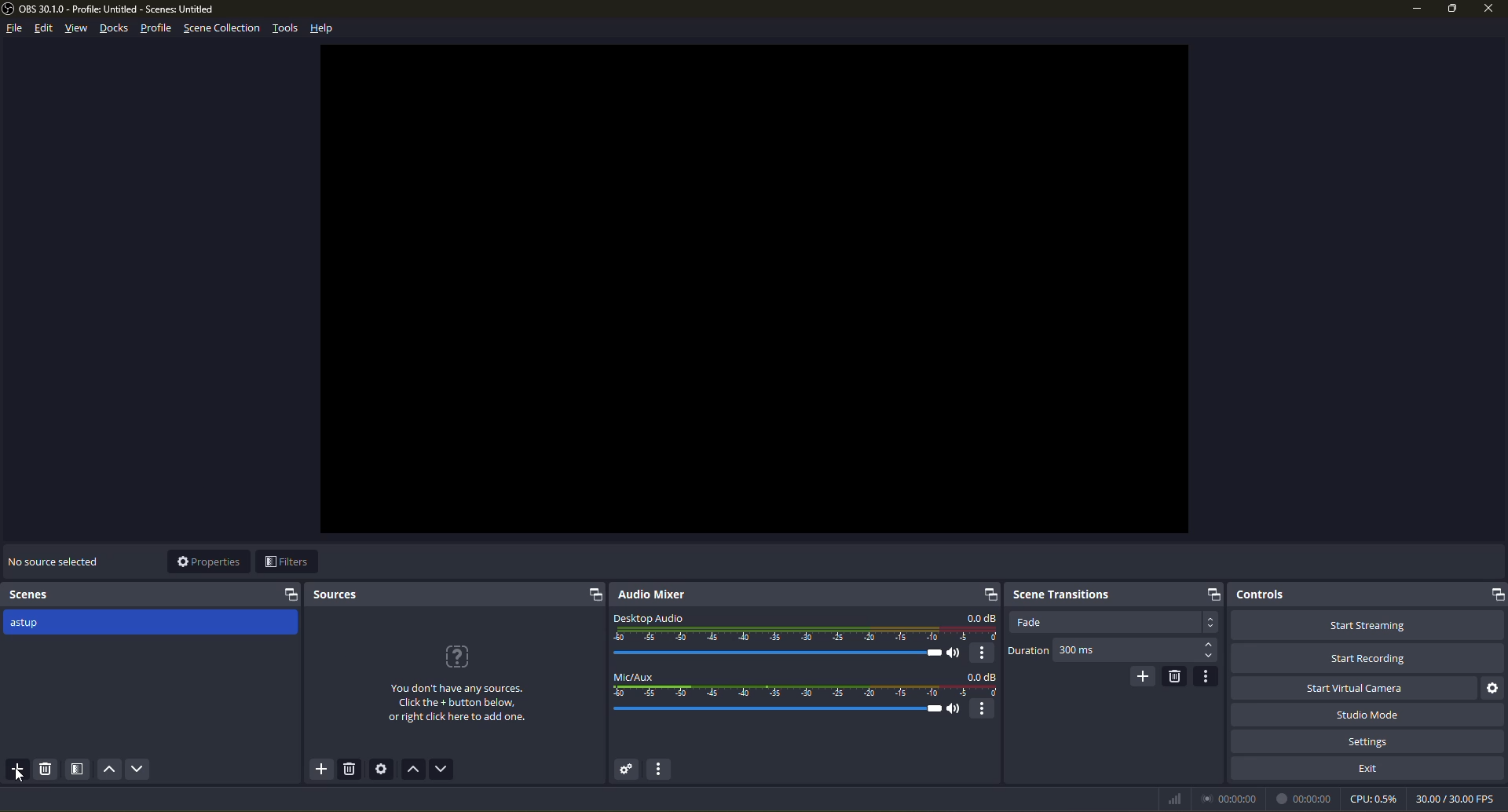  I want to click on more options, so click(983, 654).